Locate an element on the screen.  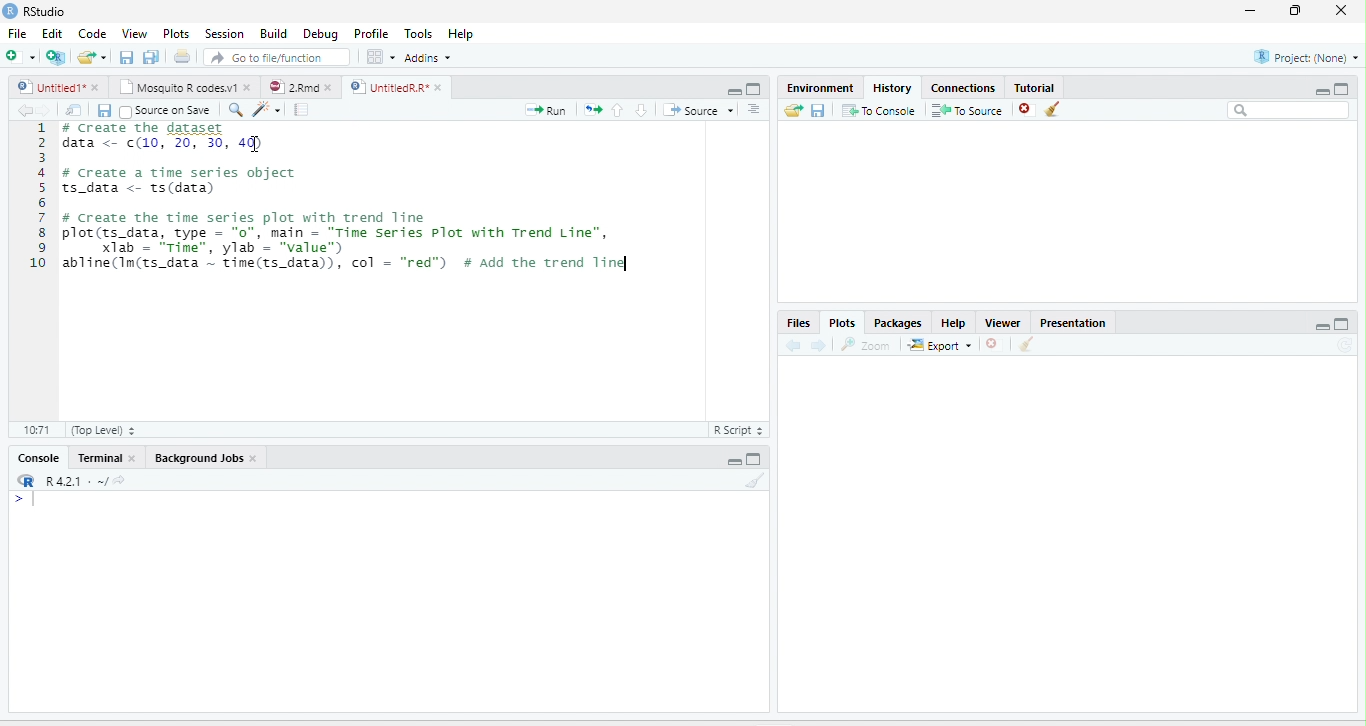
# Create the dataset

data <- c(10, 20, 30, 4)

# Create a time series object

ts_data <- ts(data)

# Create the time series plot with trend line

plot(ts_data, type = "0", main = "Time Series Plot with Trend Line",
x1ab = “Time”, ylab = “value")

abline(Im(ts_data ~ time(ts_data)), col = “red”) # Add the trend line] is located at coordinates (355, 199).